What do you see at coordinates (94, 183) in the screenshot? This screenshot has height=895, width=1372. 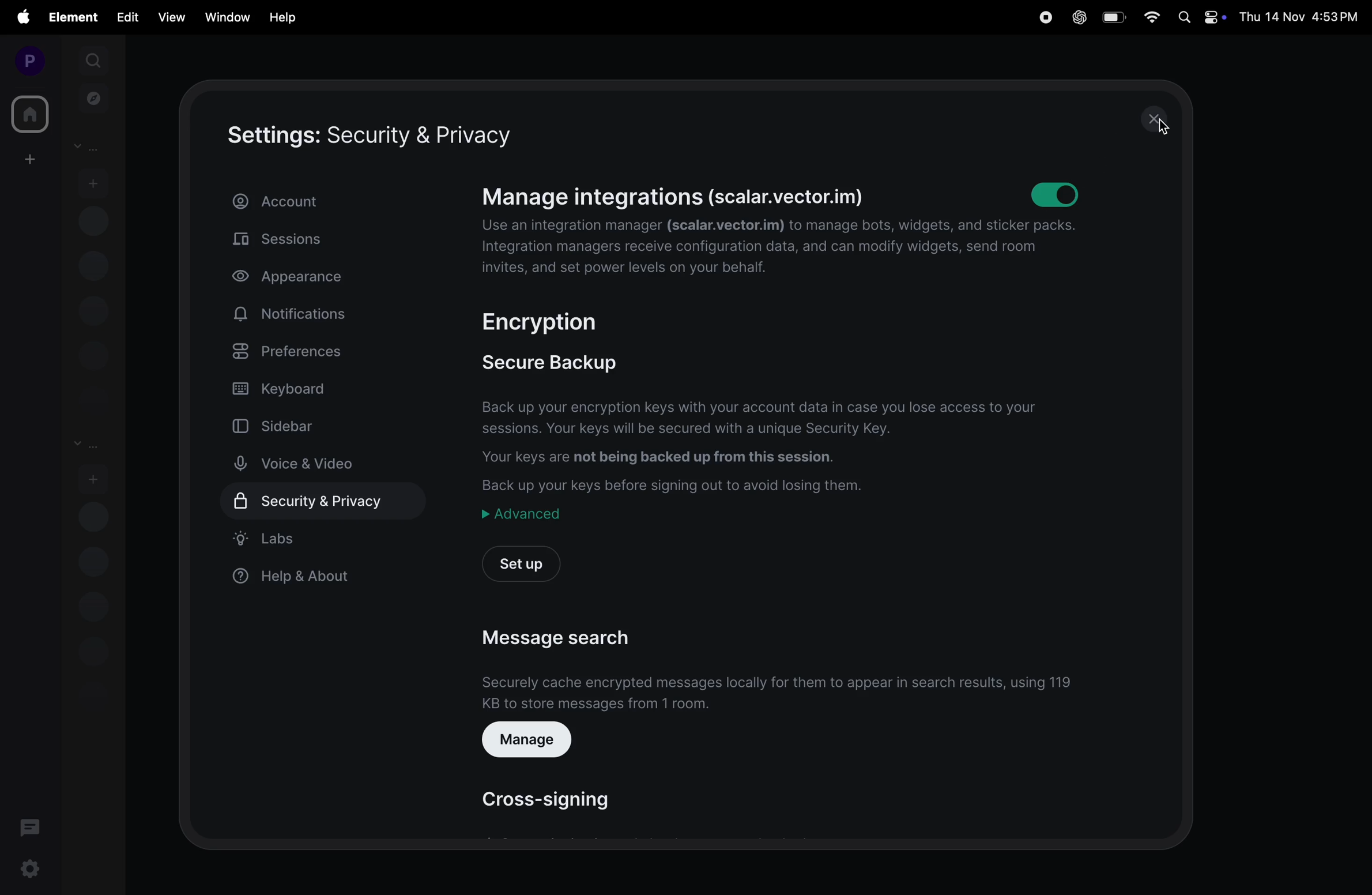 I see `start chat` at bounding box center [94, 183].